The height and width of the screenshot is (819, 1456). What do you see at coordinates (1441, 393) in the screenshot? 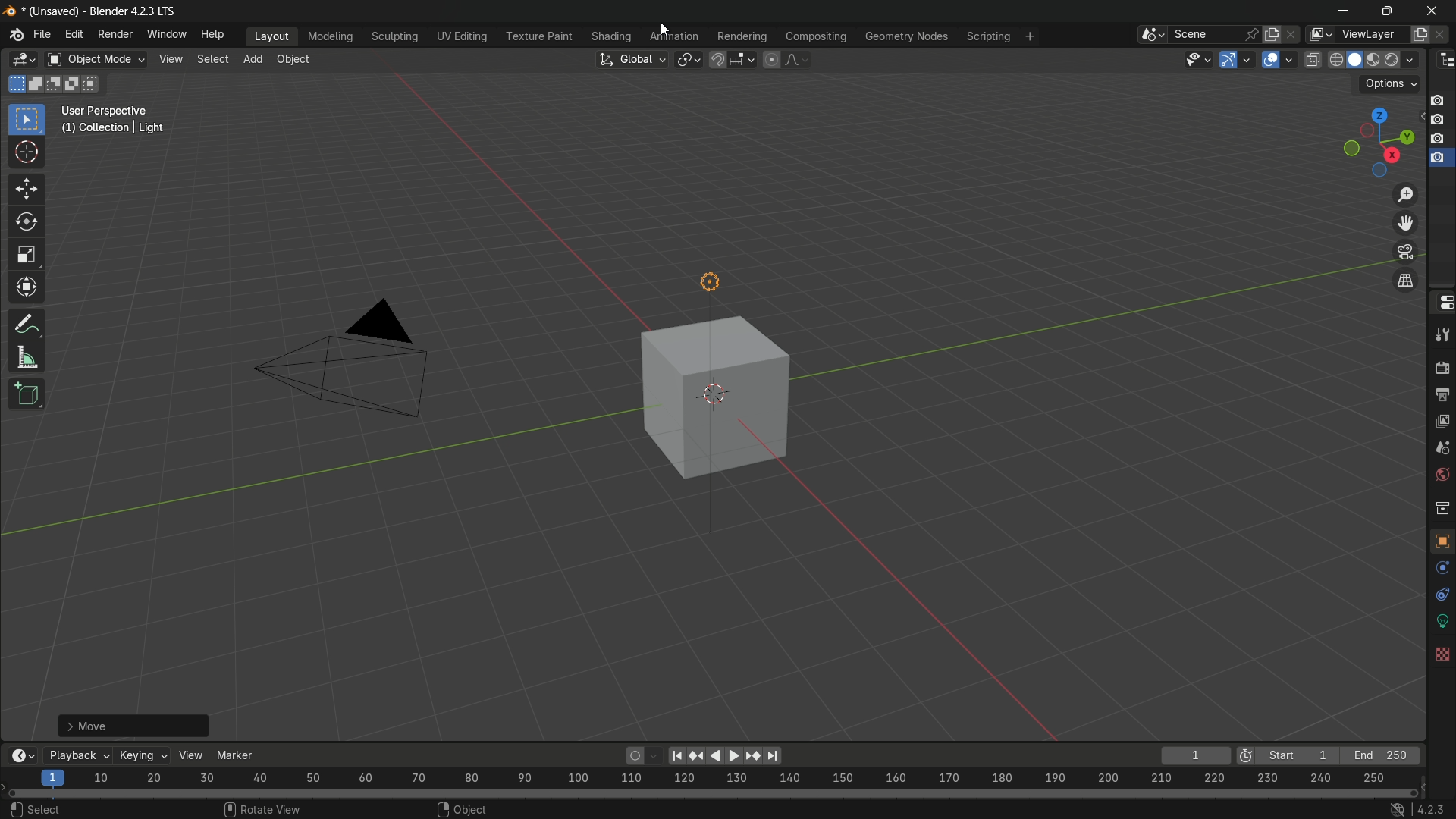
I see `output` at bounding box center [1441, 393].